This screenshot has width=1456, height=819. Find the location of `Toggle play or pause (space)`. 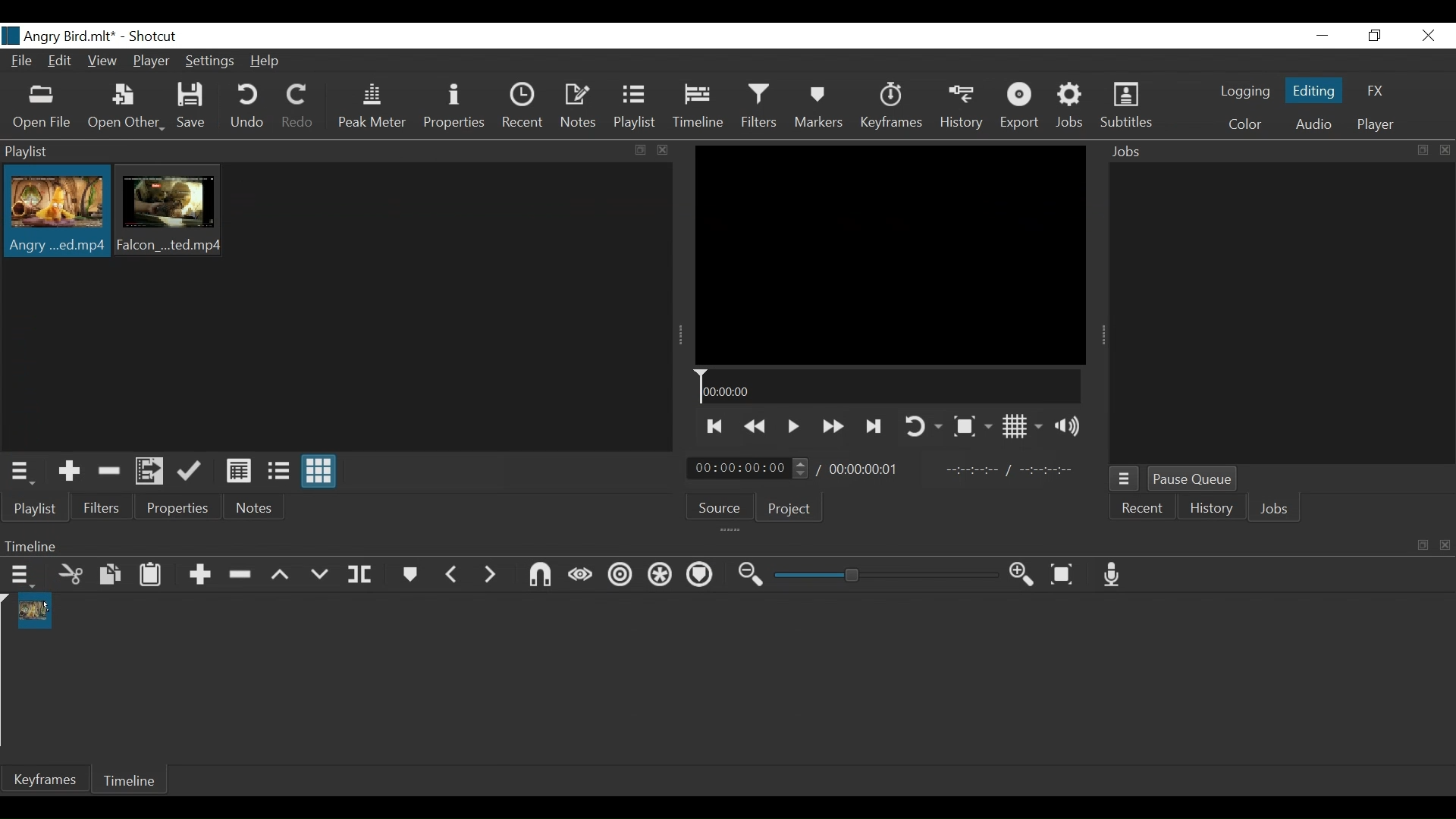

Toggle play or pause (space) is located at coordinates (792, 428).